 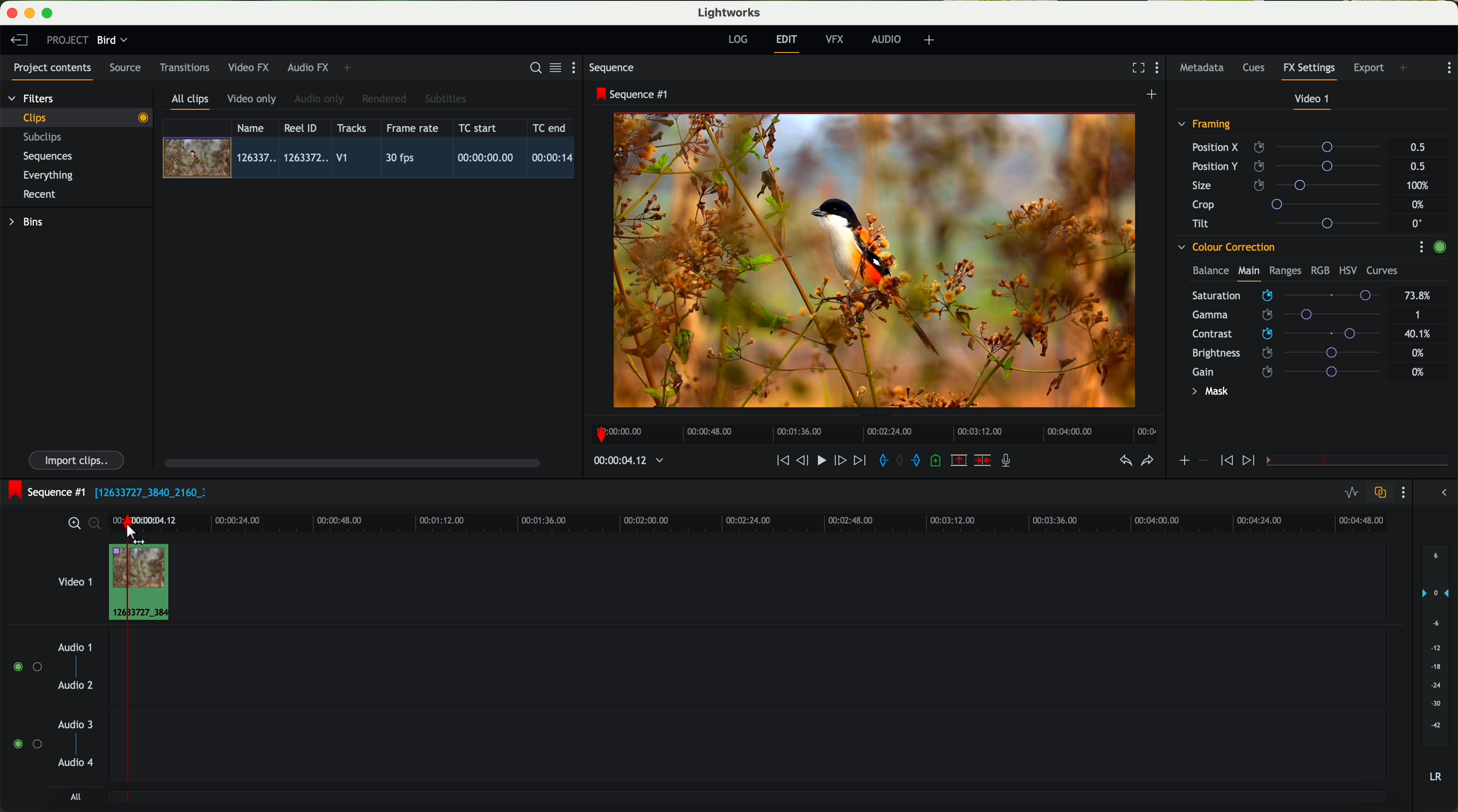 I want to click on crop, so click(x=1290, y=204).